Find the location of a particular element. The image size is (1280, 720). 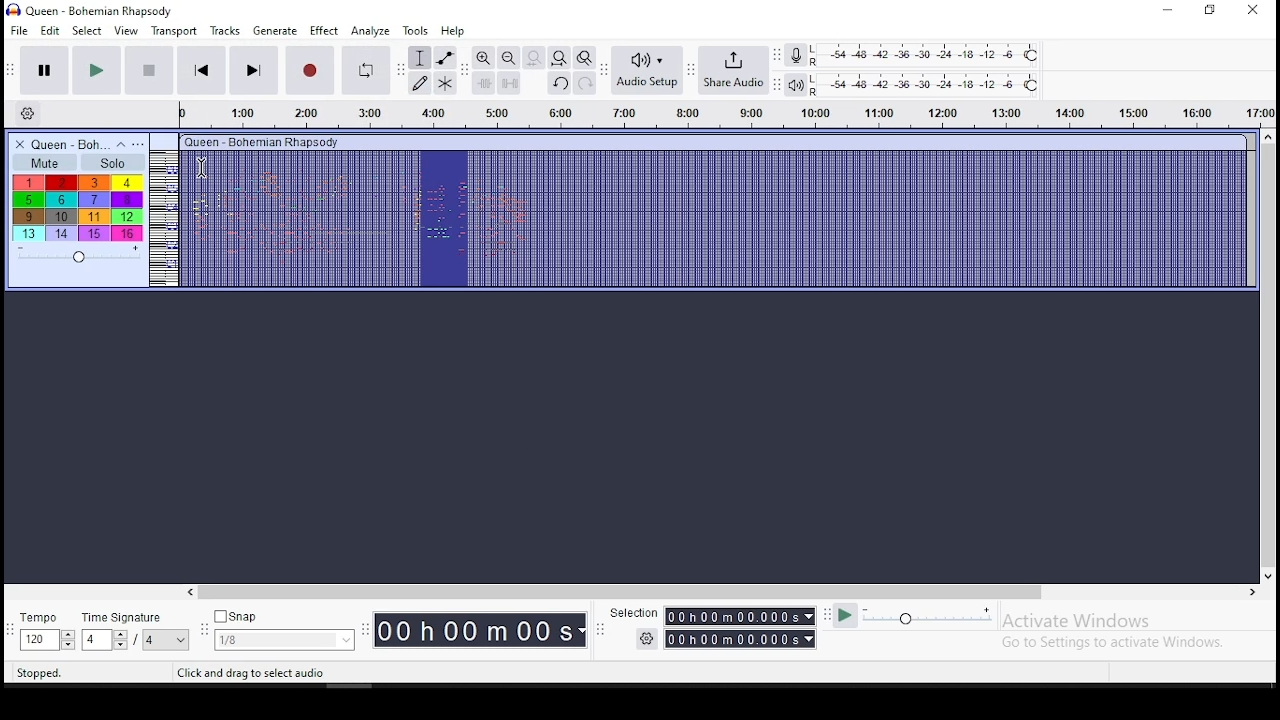

audio setup is located at coordinates (647, 70).